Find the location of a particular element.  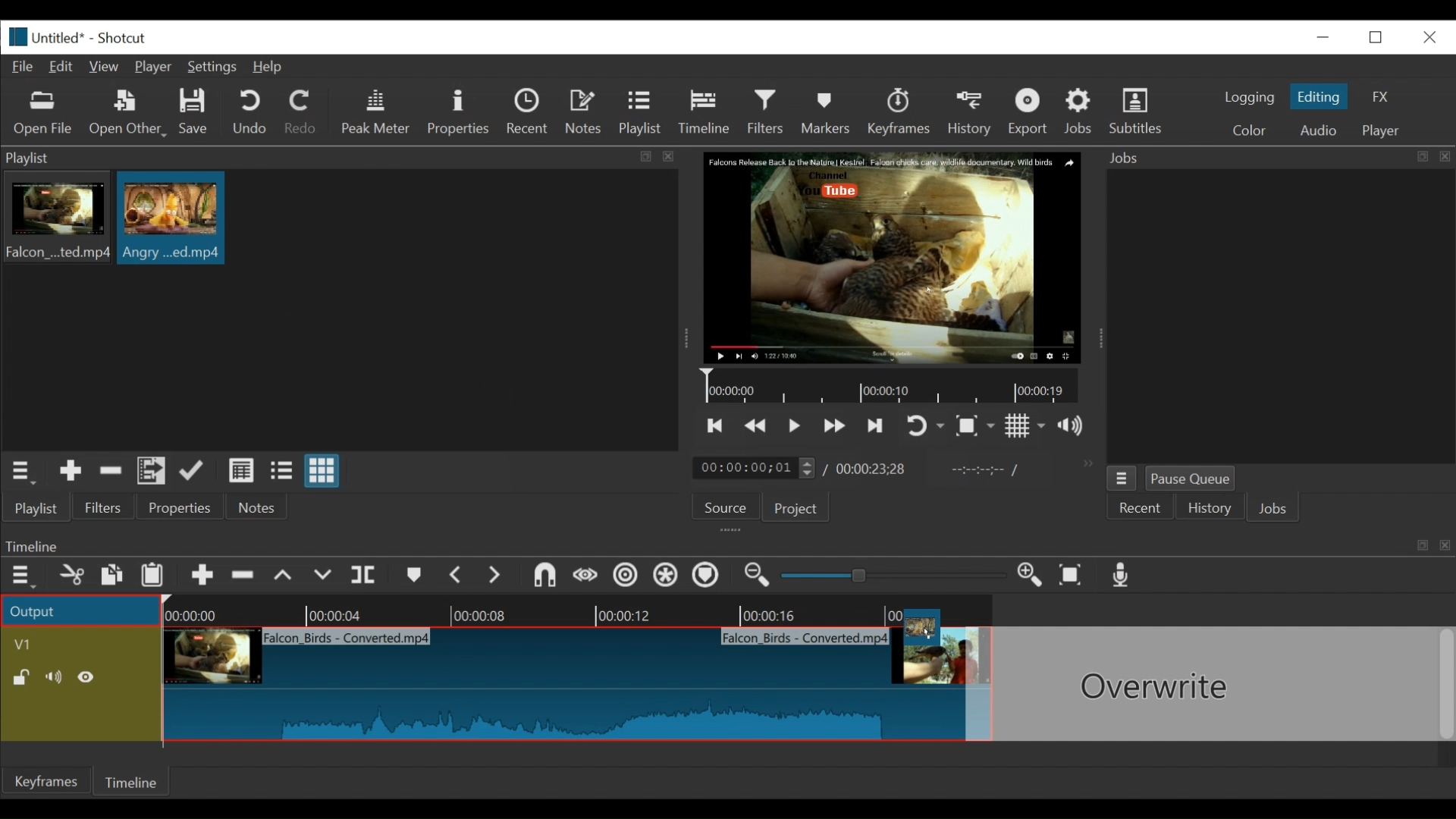

Hide is located at coordinates (90, 677).